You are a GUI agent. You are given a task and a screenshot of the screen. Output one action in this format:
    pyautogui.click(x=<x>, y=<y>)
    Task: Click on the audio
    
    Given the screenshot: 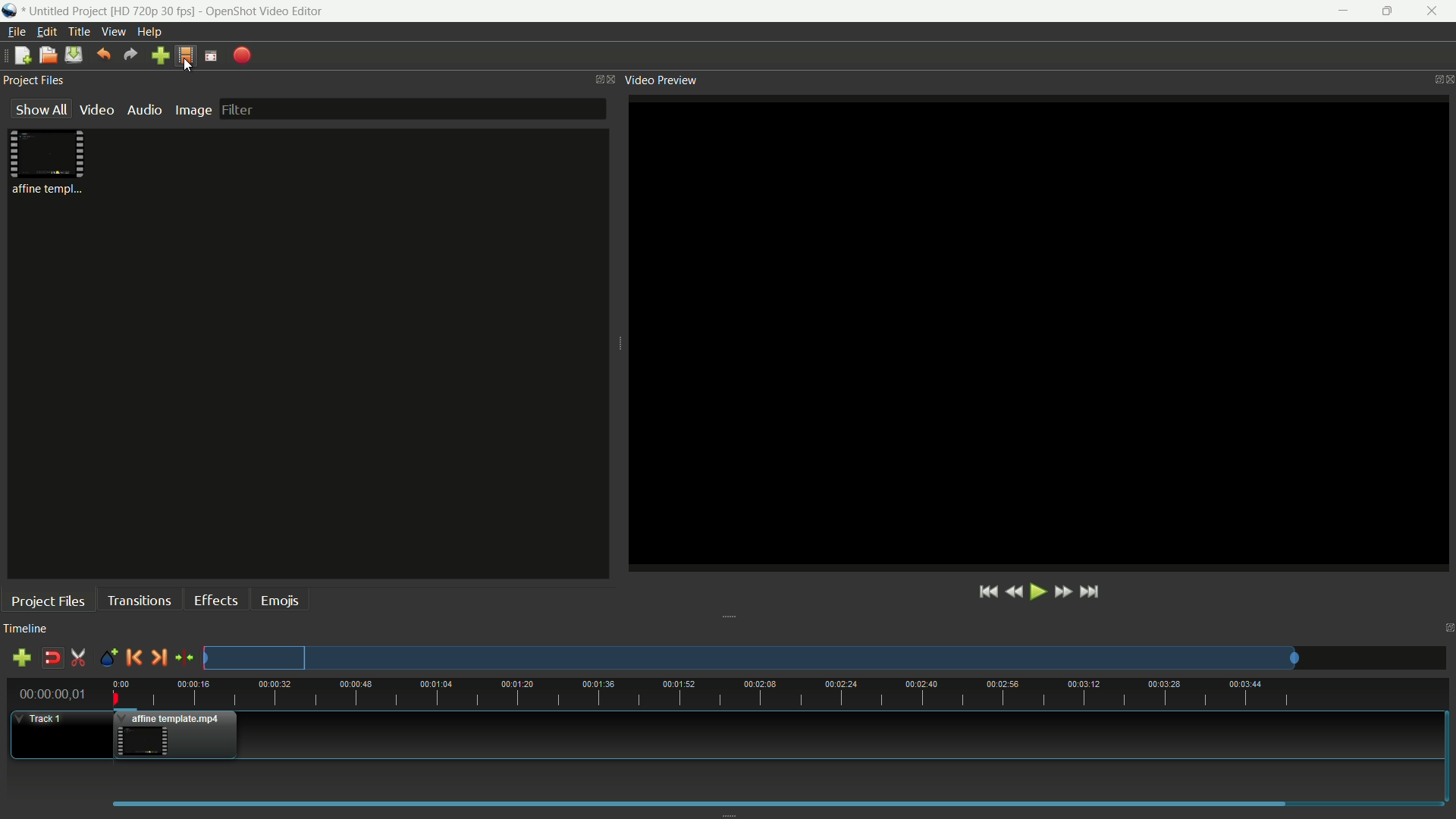 What is the action you would take?
    pyautogui.click(x=145, y=109)
    